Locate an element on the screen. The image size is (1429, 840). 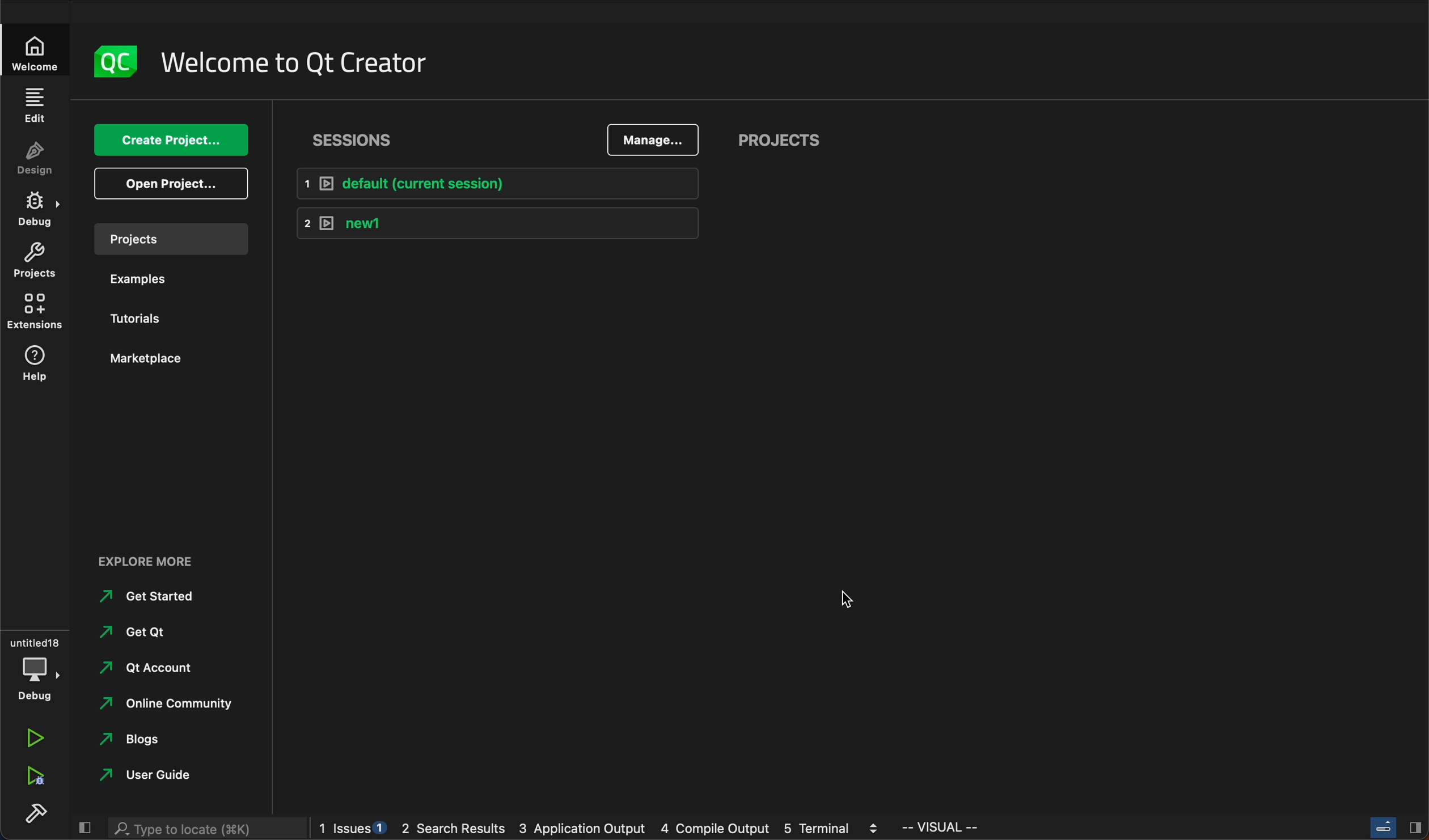
visual is located at coordinates (954, 828).